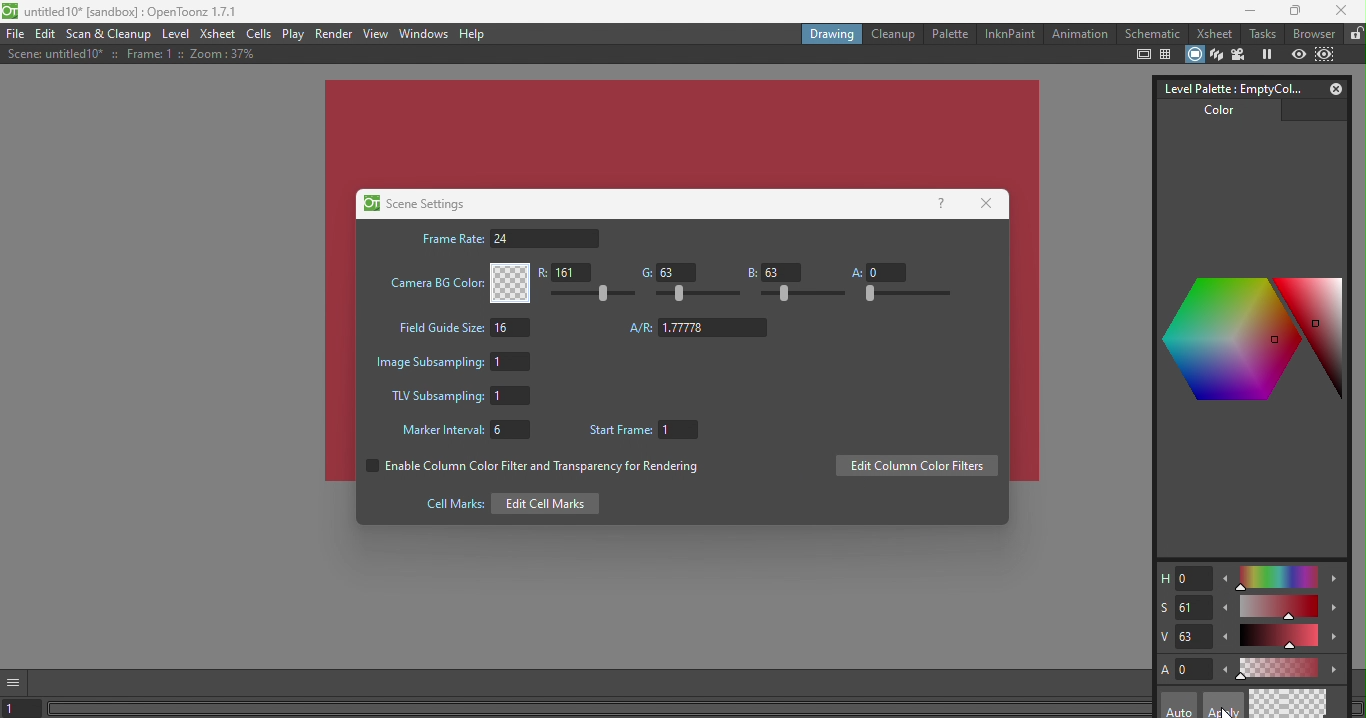 The width and height of the screenshot is (1366, 718). Describe the element at coordinates (124, 13) in the screenshot. I see `File name` at that location.